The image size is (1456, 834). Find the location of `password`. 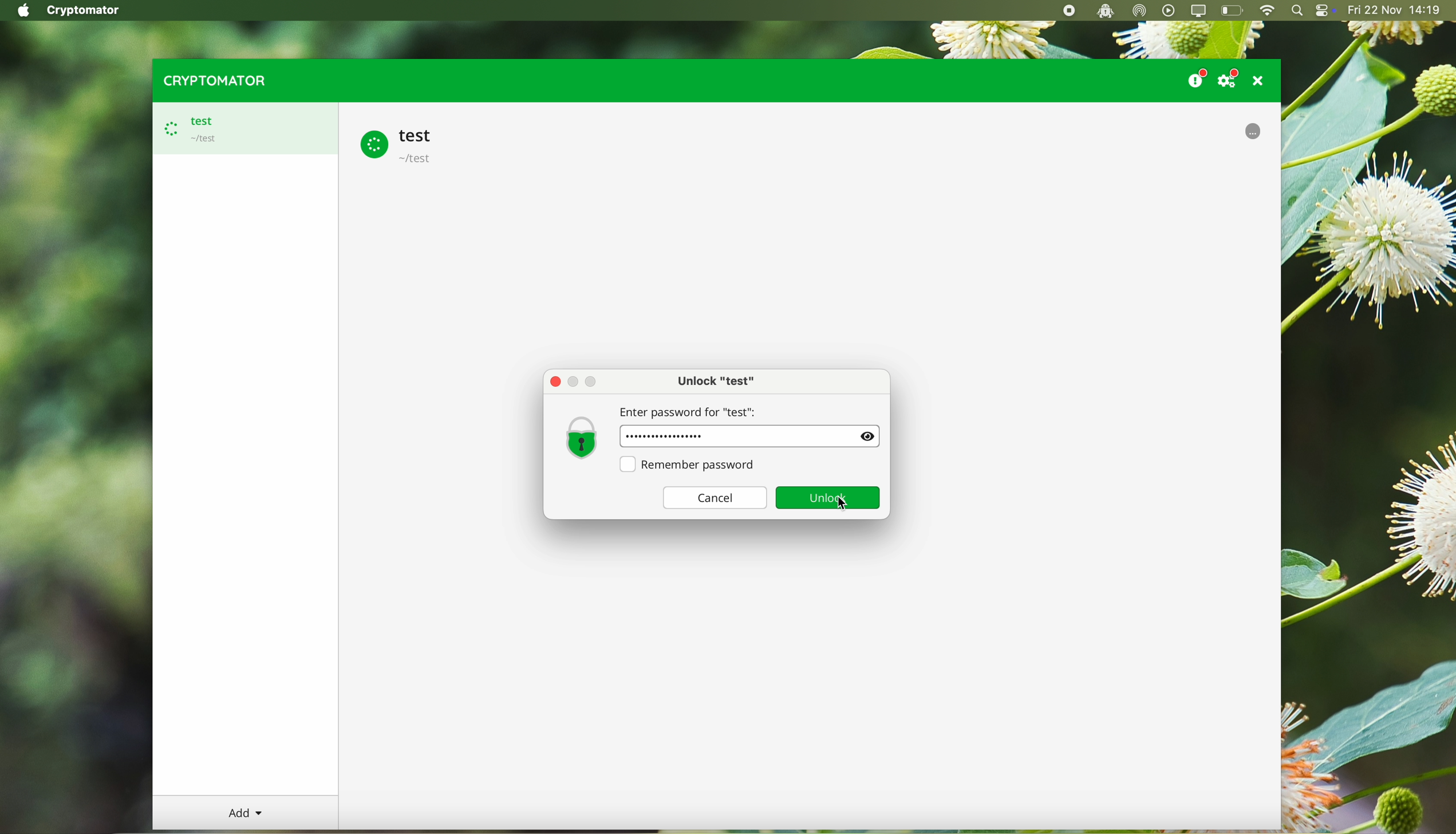

password is located at coordinates (666, 436).